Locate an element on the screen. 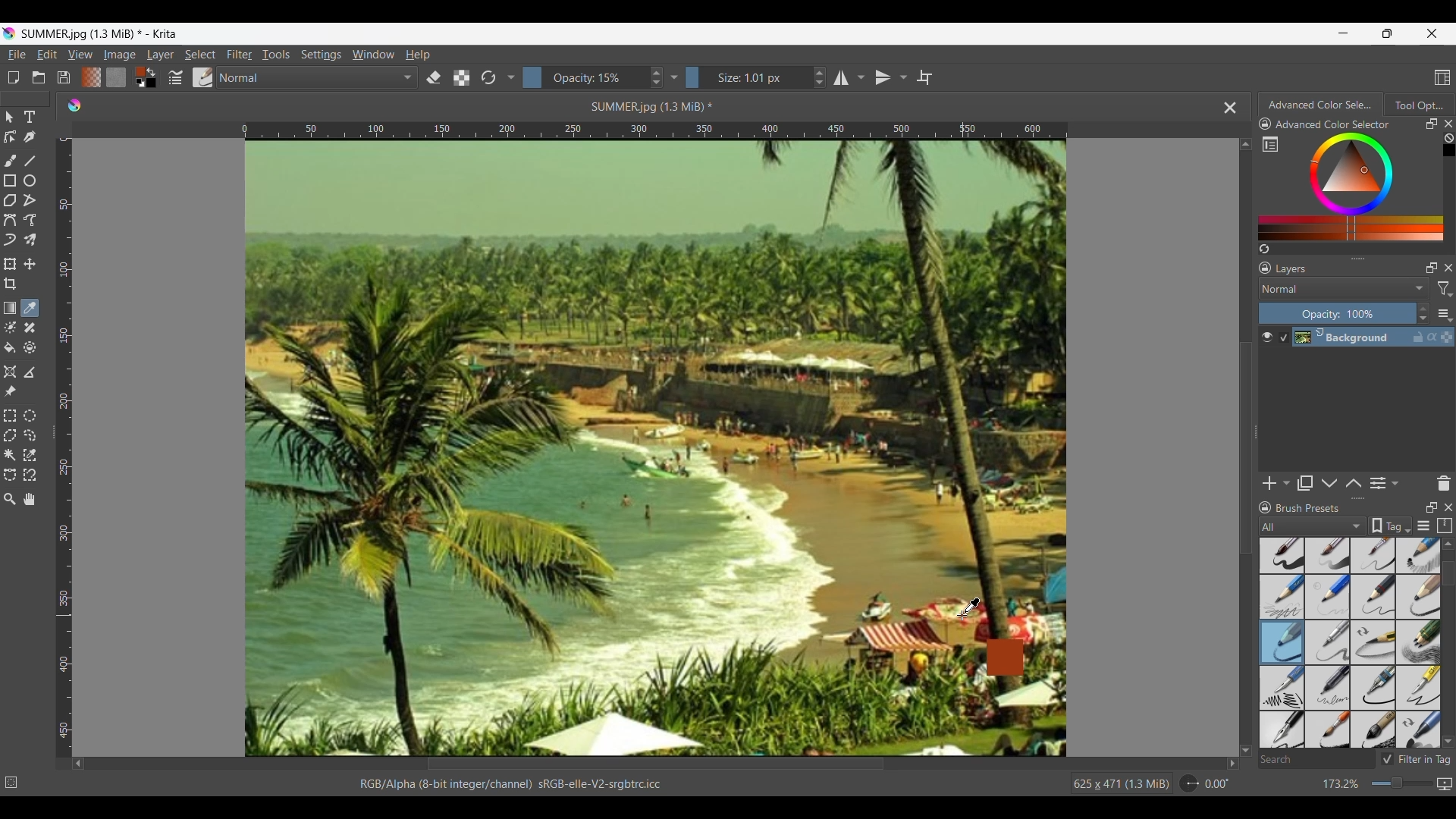 The image size is (1456, 819). Foreground color is located at coordinates (135, 71).